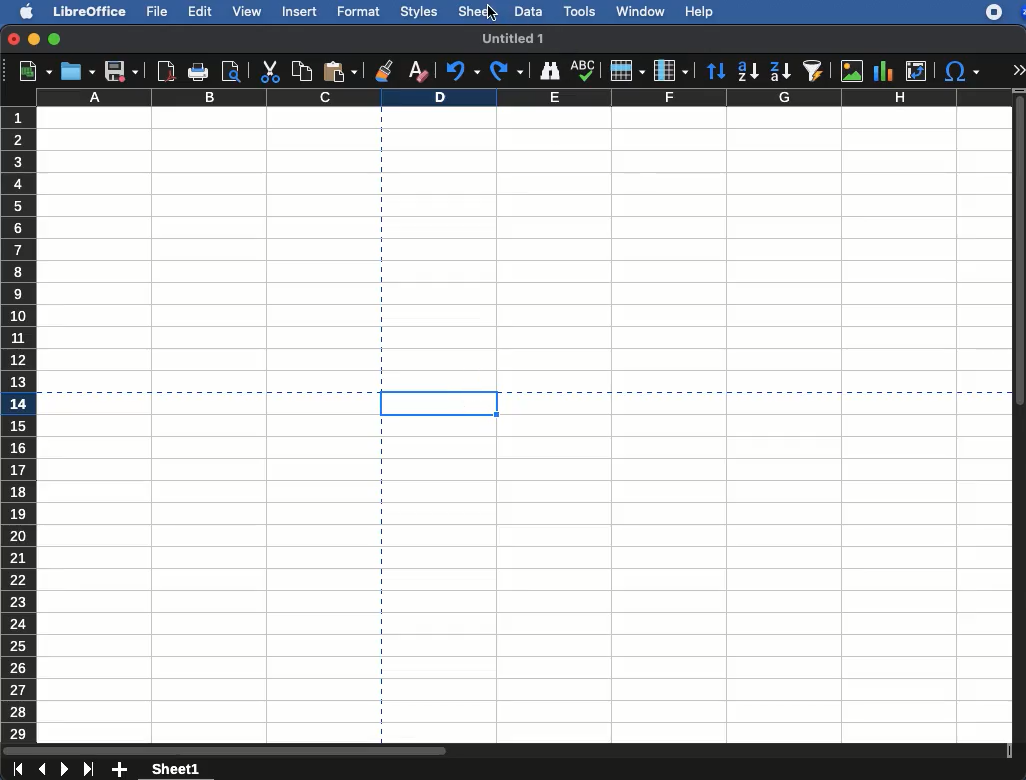  Describe the element at coordinates (381, 244) in the screenshot. I see `page break` at that location.